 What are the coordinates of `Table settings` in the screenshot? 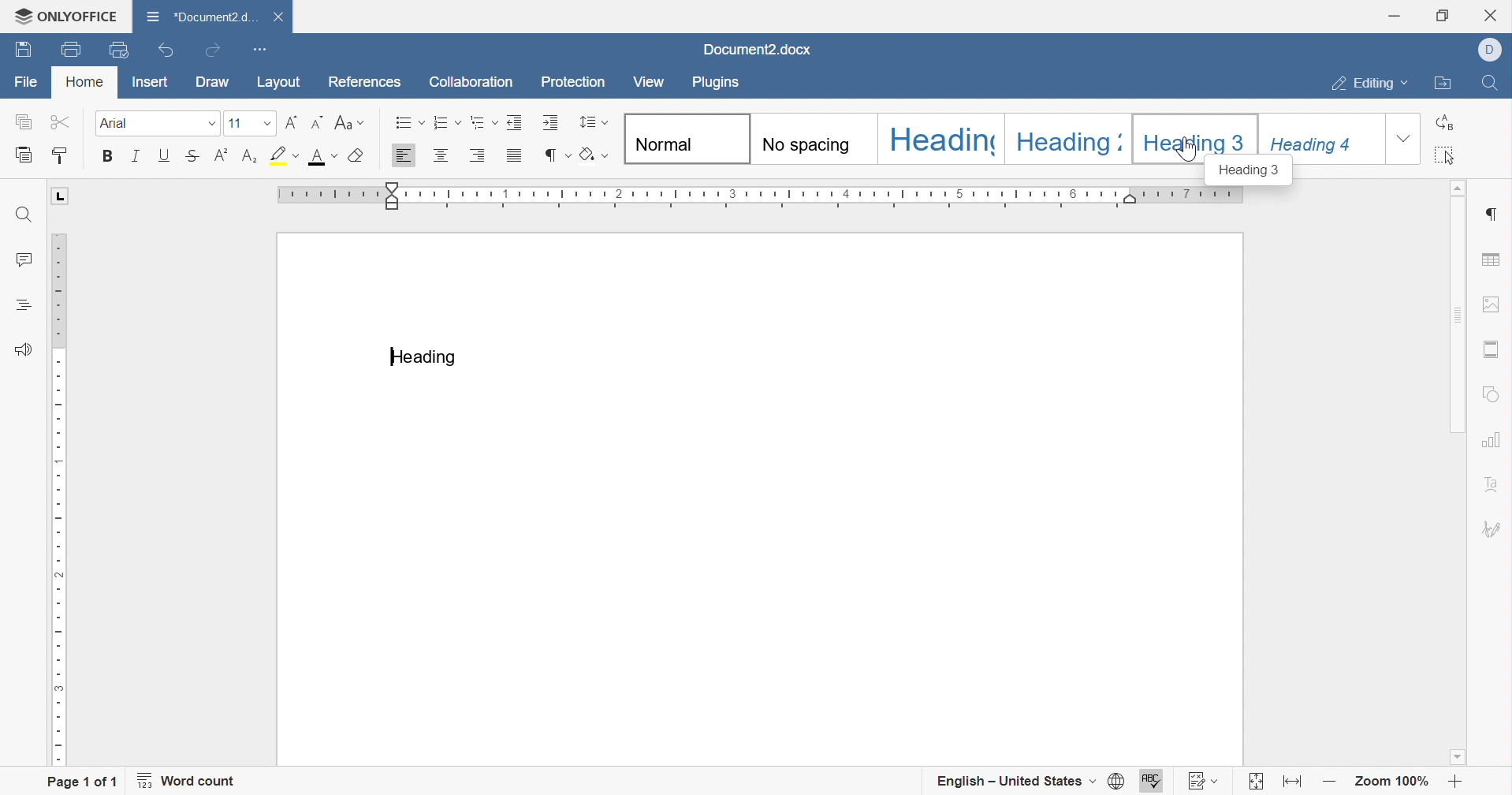 It's located at (1494, 259).